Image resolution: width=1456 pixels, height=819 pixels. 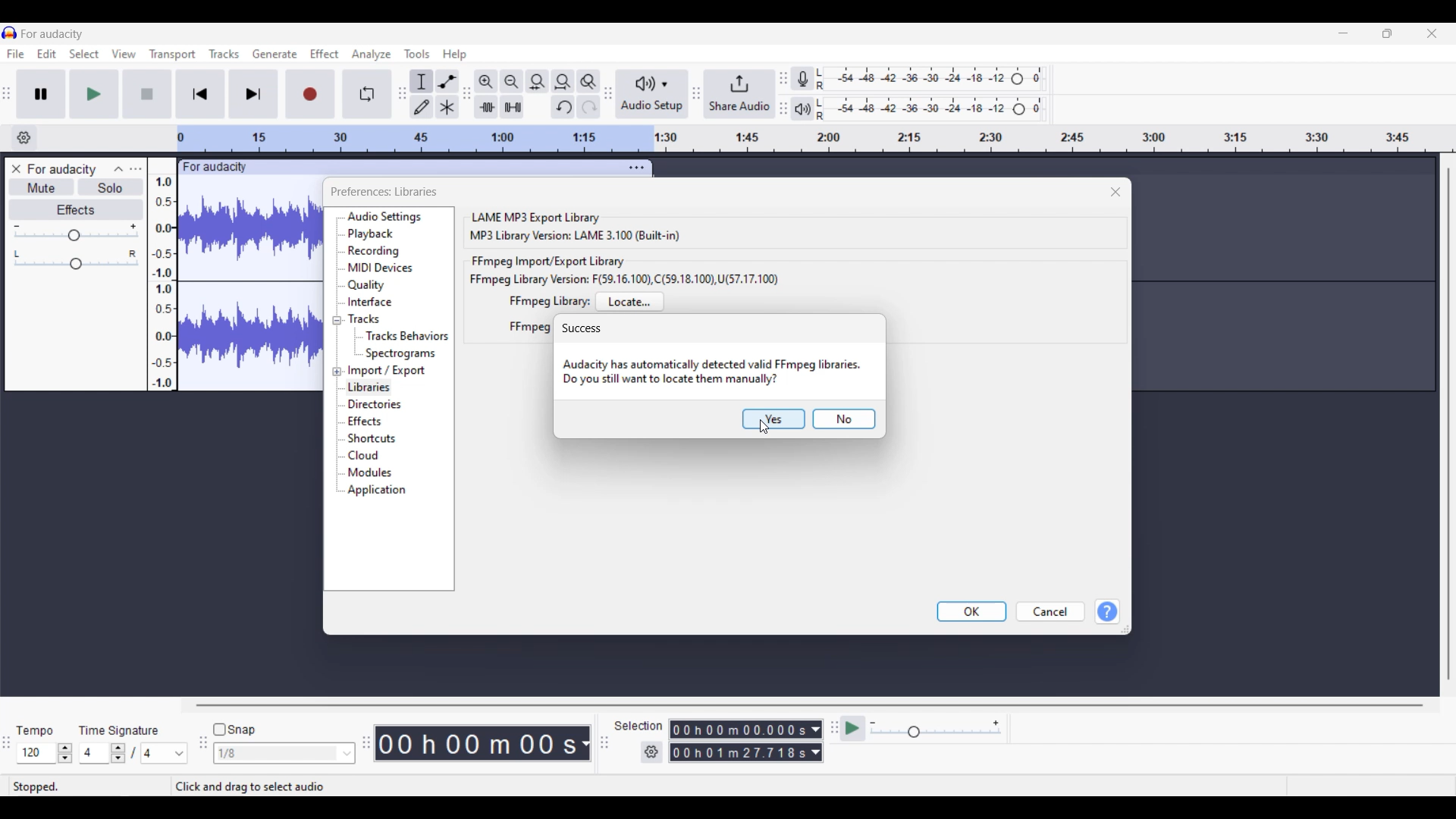 What do you see at coordinates (588, 82) in the screenshot?
I see `Zoom toggle` at bounding box center [588, 82].